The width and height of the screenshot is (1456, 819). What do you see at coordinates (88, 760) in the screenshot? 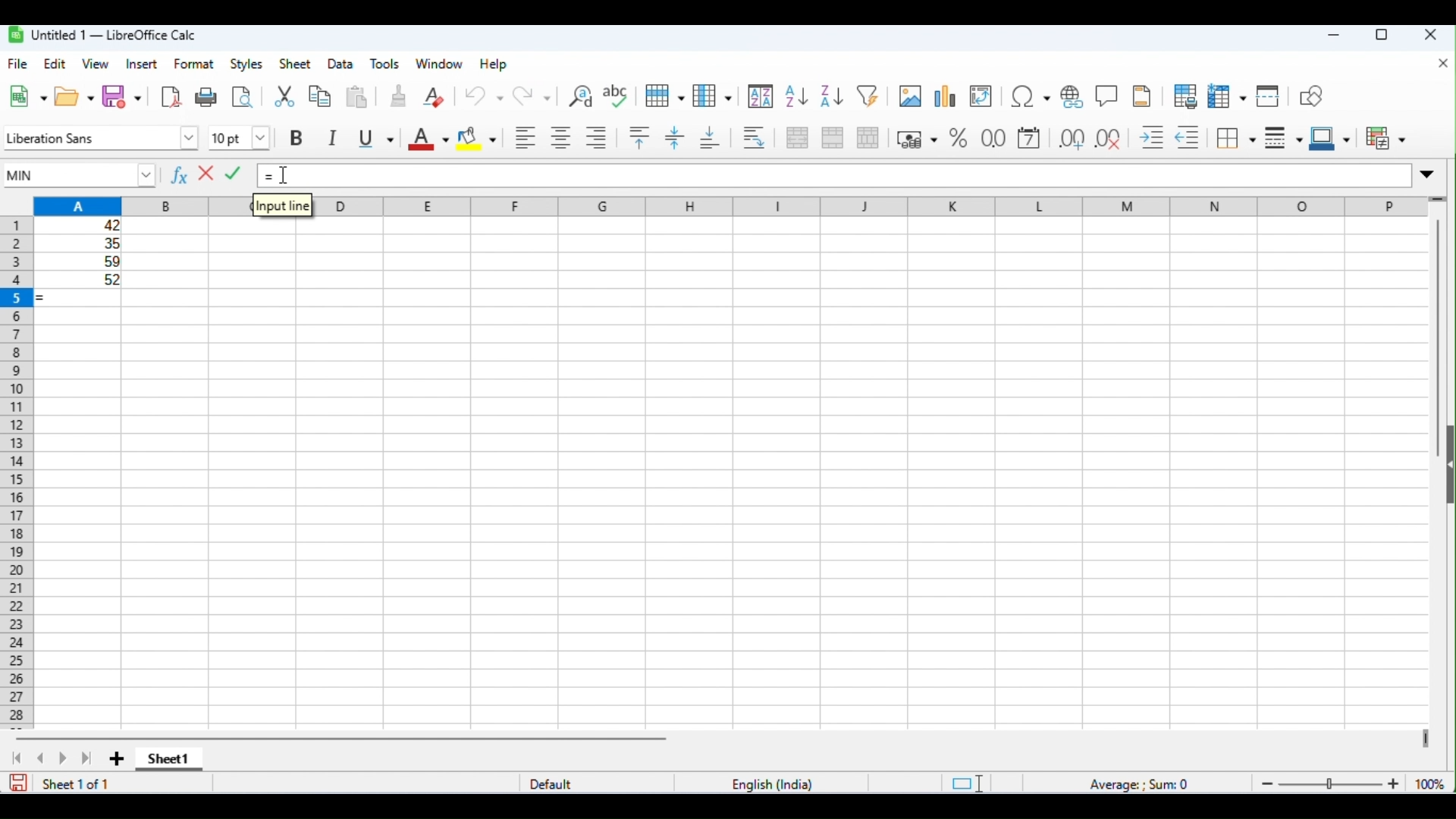
I see `last sheet` at bounding box center [88, 760].